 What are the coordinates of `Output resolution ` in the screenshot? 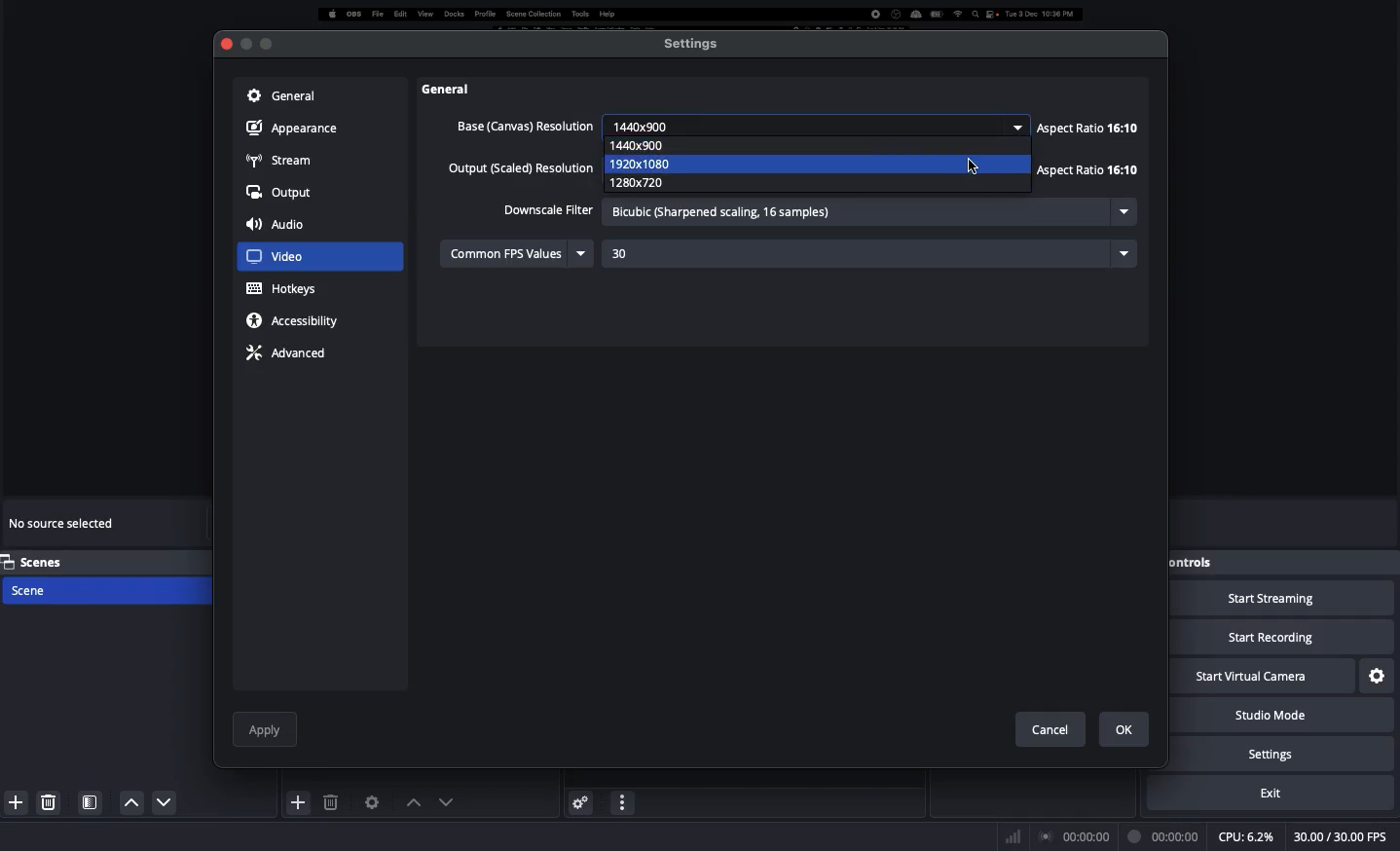 It's located at (523, 170).